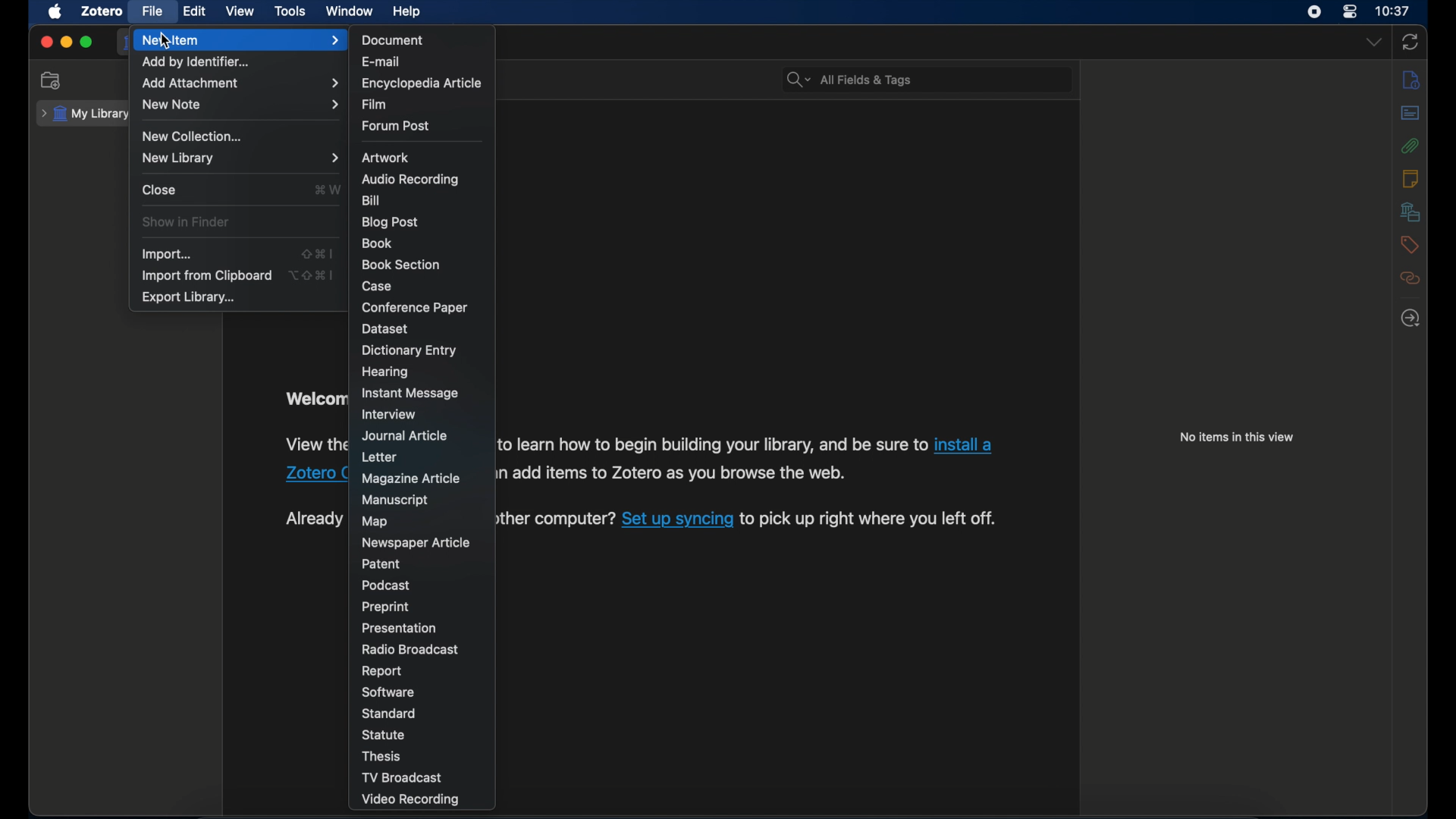 This screenshot has height=819, width=1456. What do you see at coordinates (372, 199) in the screenshot?
I see `bill` at bounding box center [372, 199].